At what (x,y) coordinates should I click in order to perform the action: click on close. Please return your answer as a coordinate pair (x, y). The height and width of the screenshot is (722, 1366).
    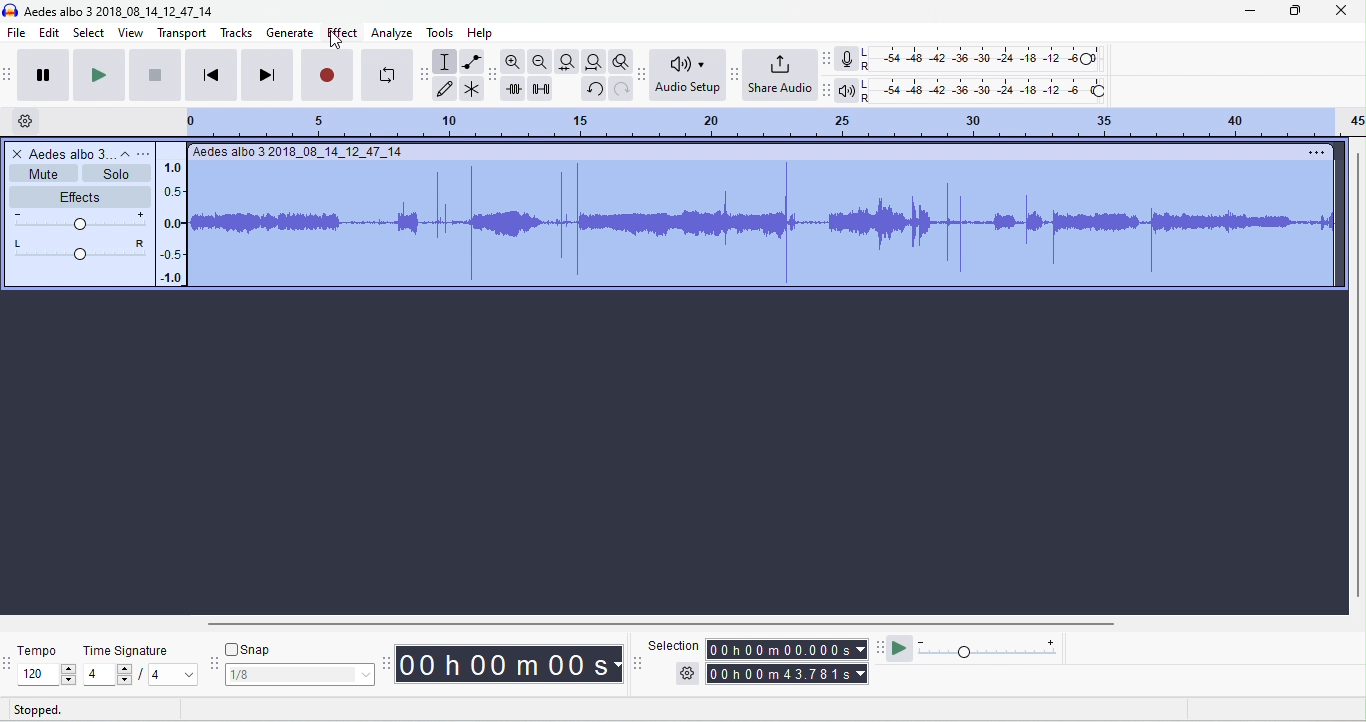
    Looking at the image, I should click on (1342, 9).